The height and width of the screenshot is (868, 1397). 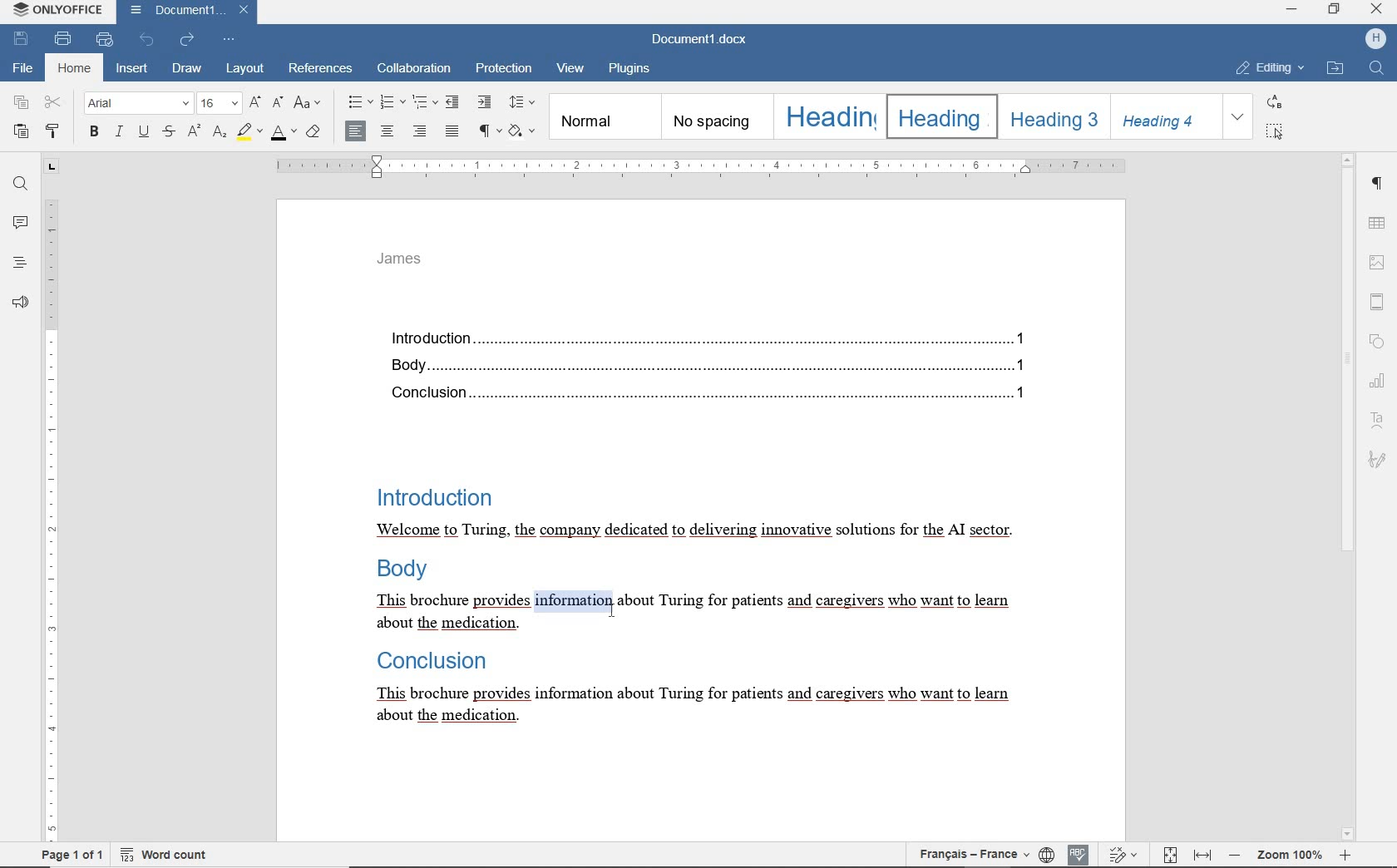 What do you see at coordinates (413, 70) in the screenshot?
I see `COLLABORATION` at bounding box center [413, 70].